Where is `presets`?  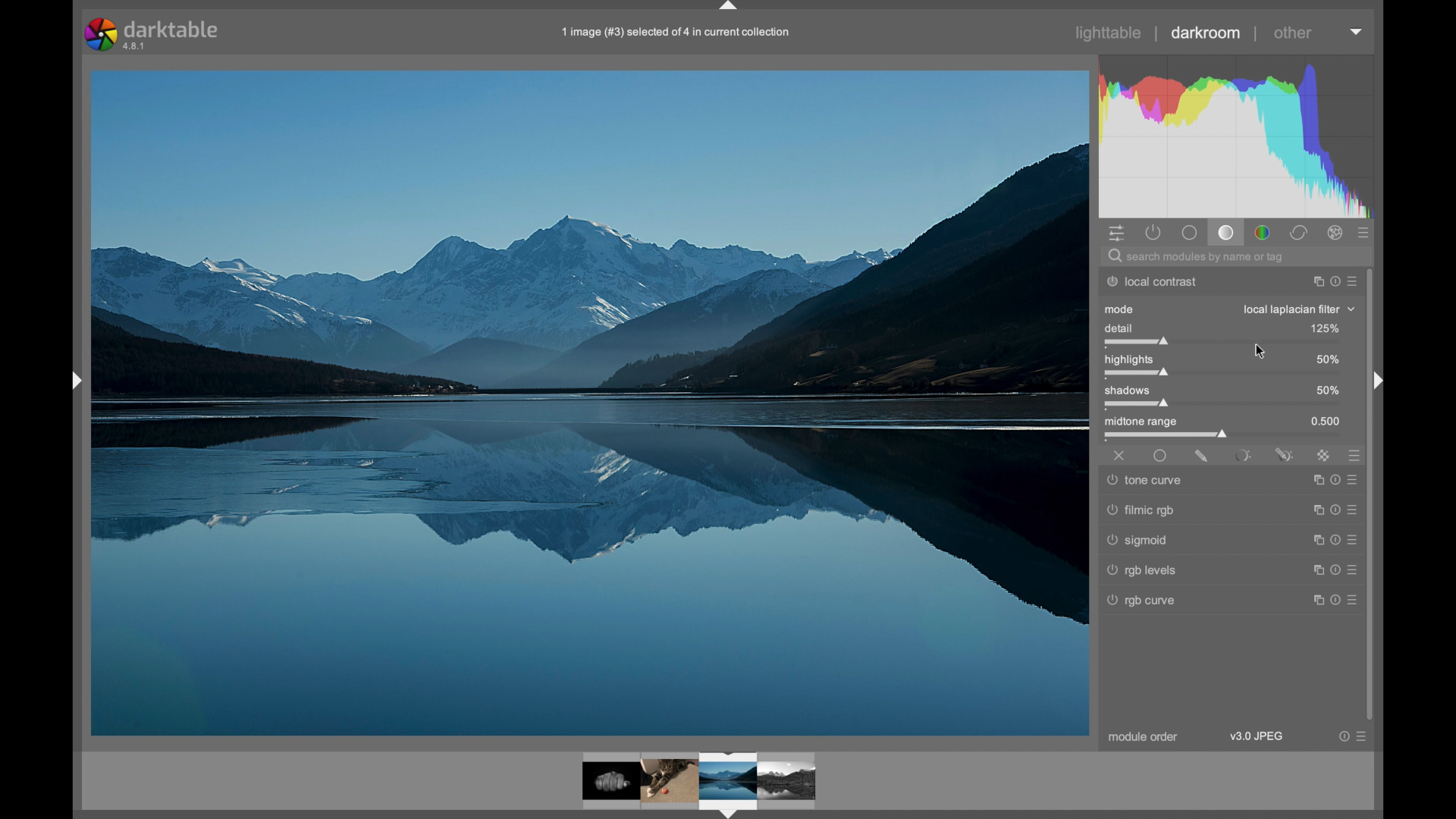
presets is located at coordinates (1367, 234).